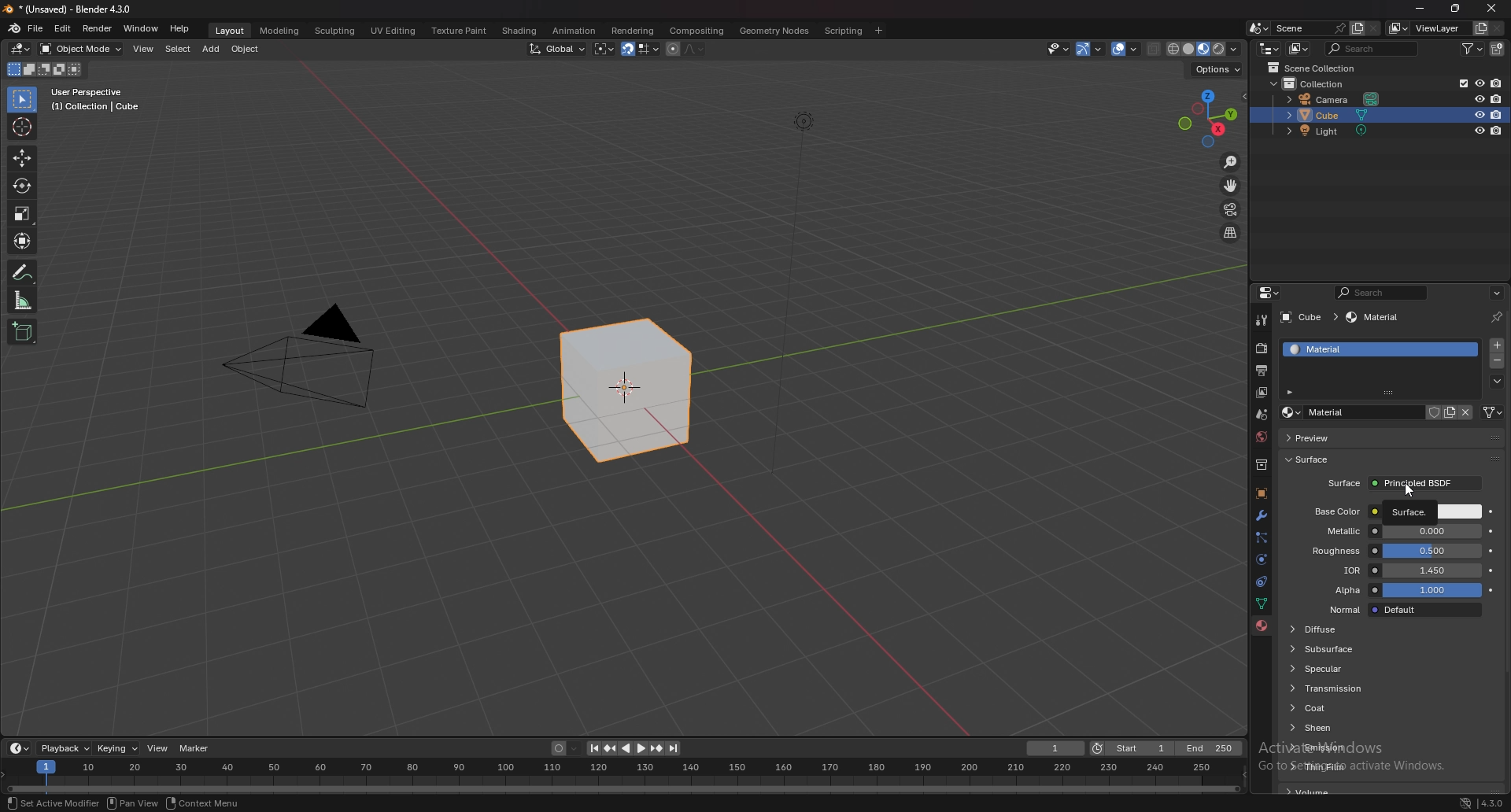 The image size is (1511, 812). What do you see at coordinates (180, 28) in the screenshot?
I see `help` at bounding box center [180, 28].